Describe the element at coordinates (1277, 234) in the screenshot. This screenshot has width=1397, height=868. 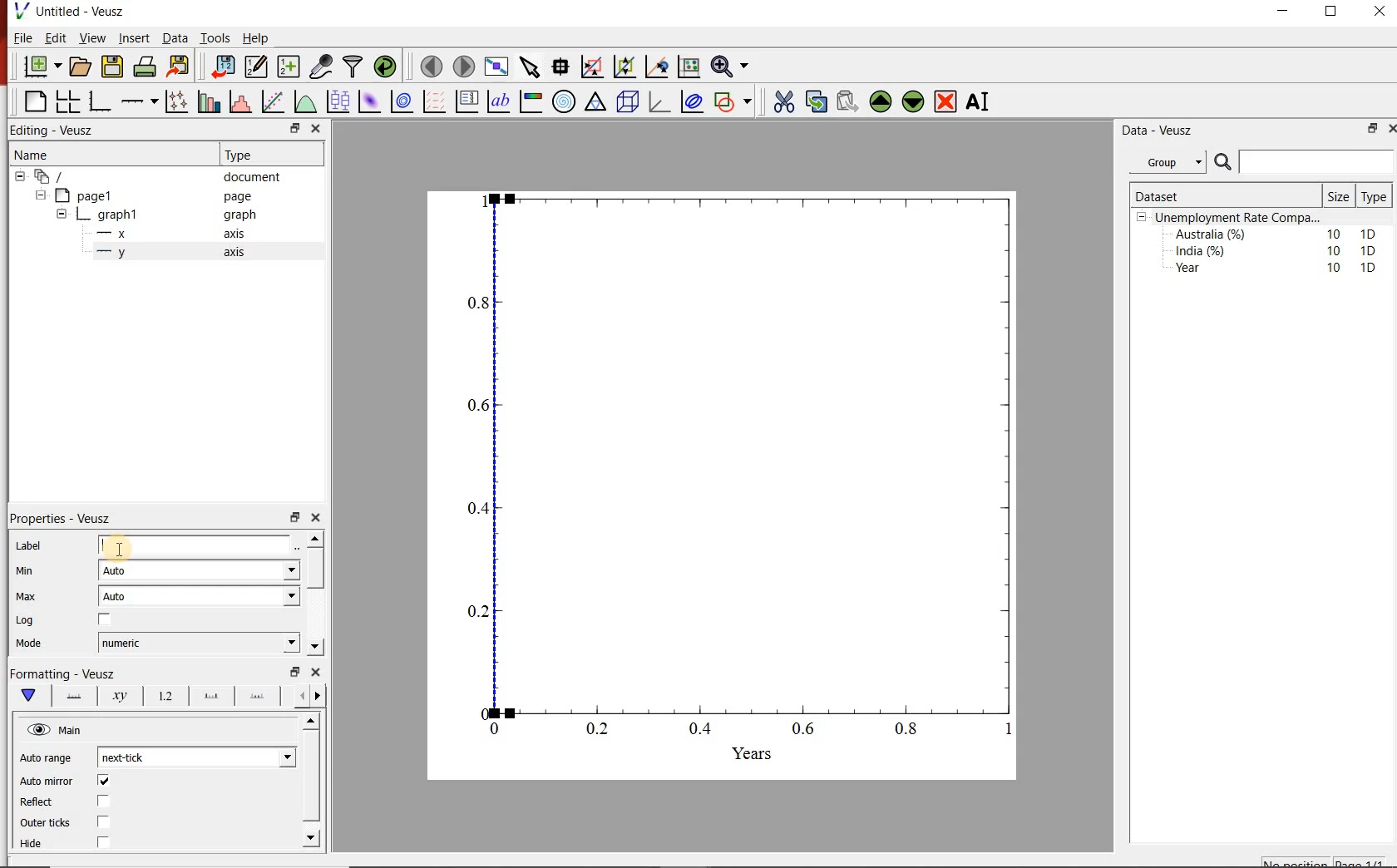
I see `Australia (%) 10 1D` at that location.